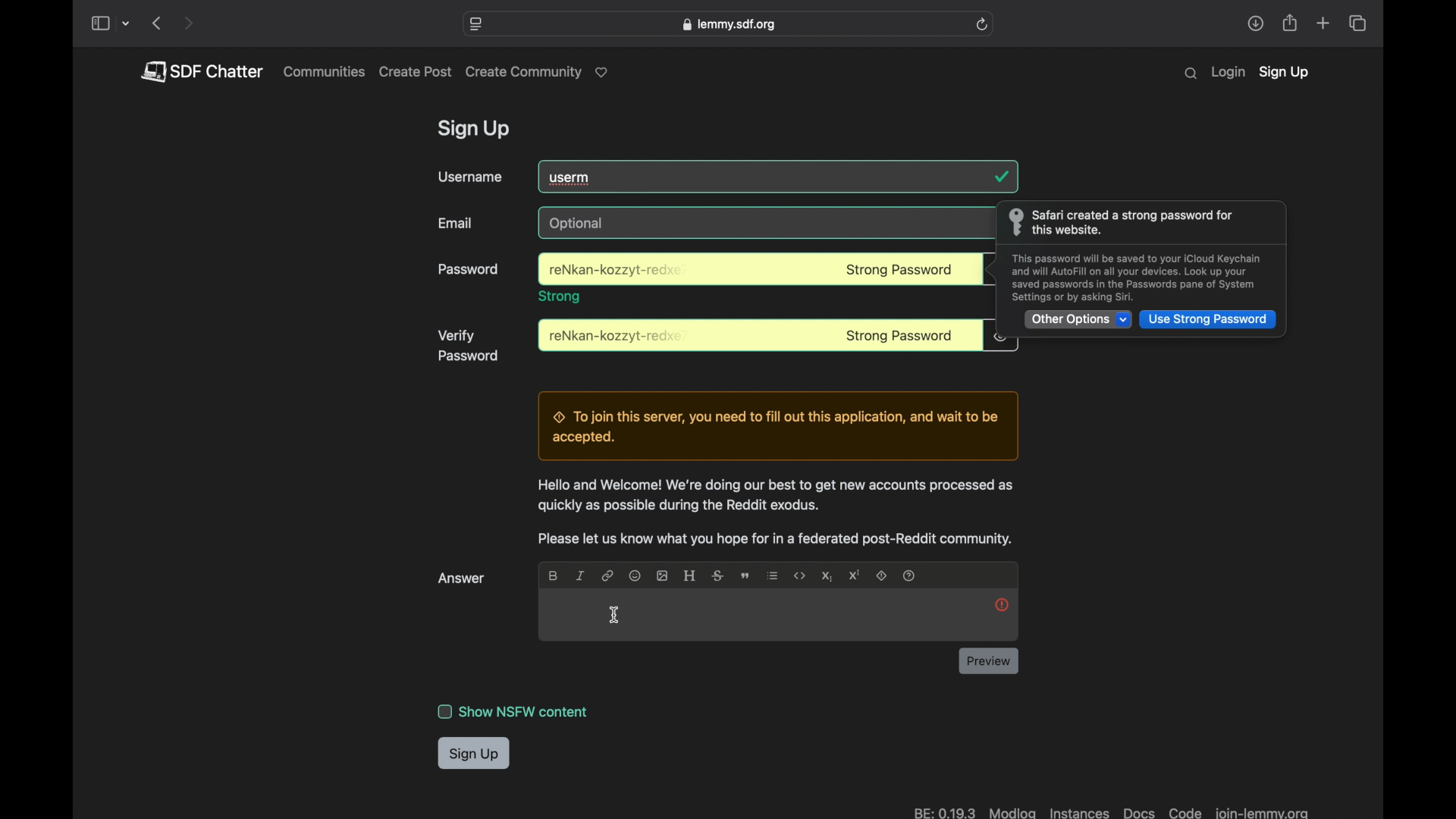 The height and width of the screenshot is (819, 1456). I want to click on pdf chatter, so click(201, 71).